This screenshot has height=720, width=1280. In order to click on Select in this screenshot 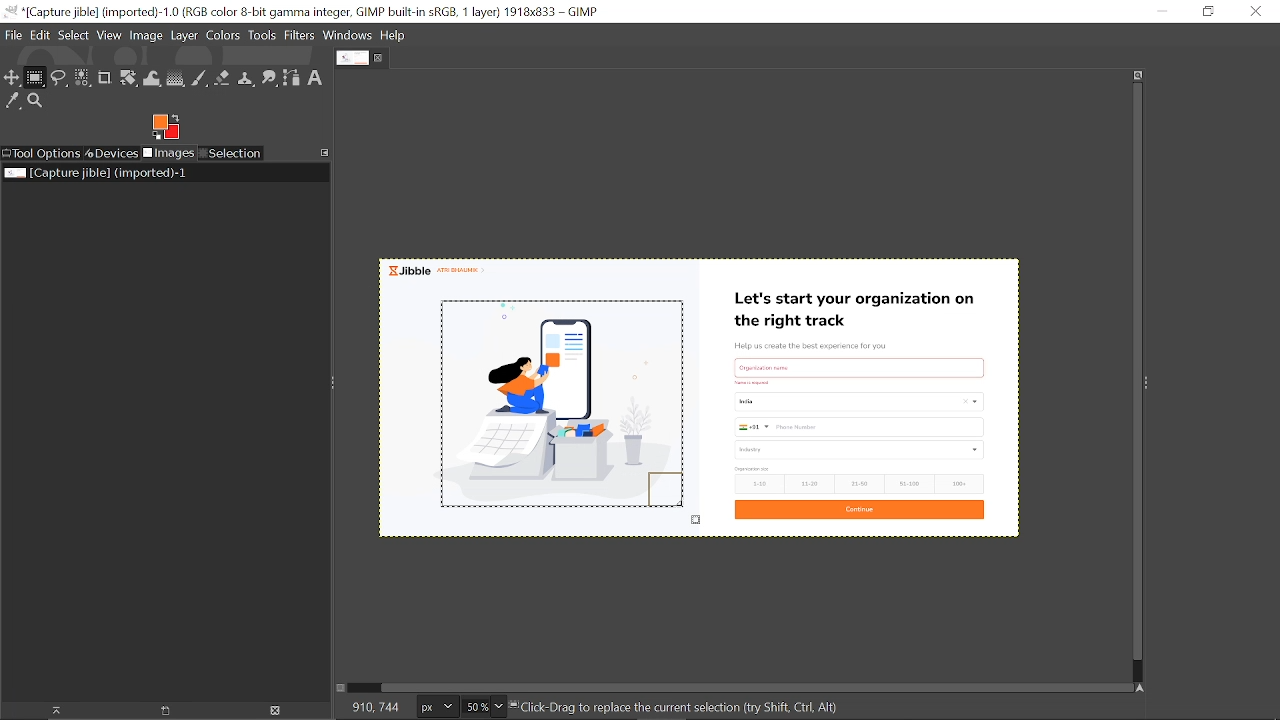, I will do `click(74, 35)`.